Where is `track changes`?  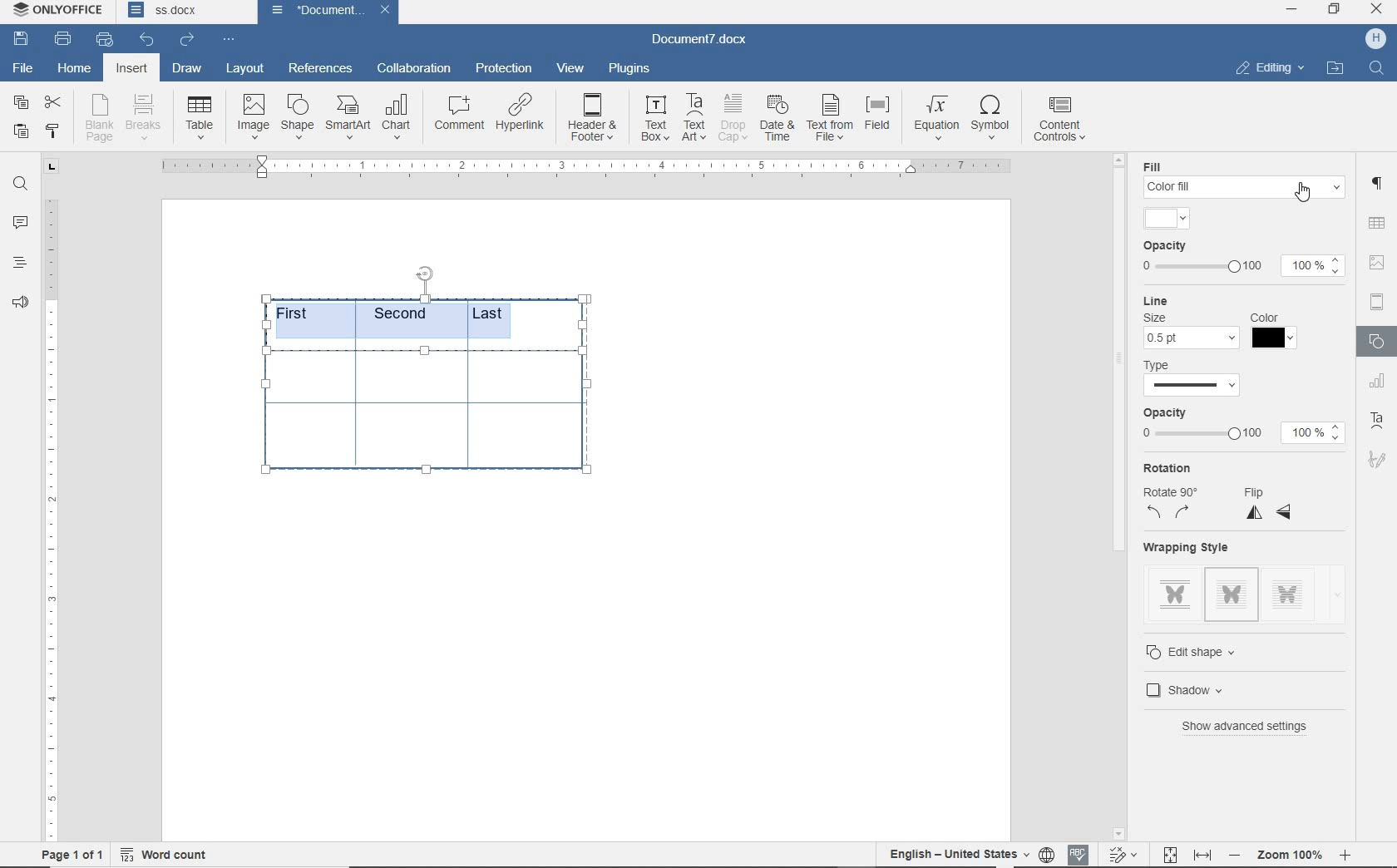 track changes is located at coordinates (1125, 853).